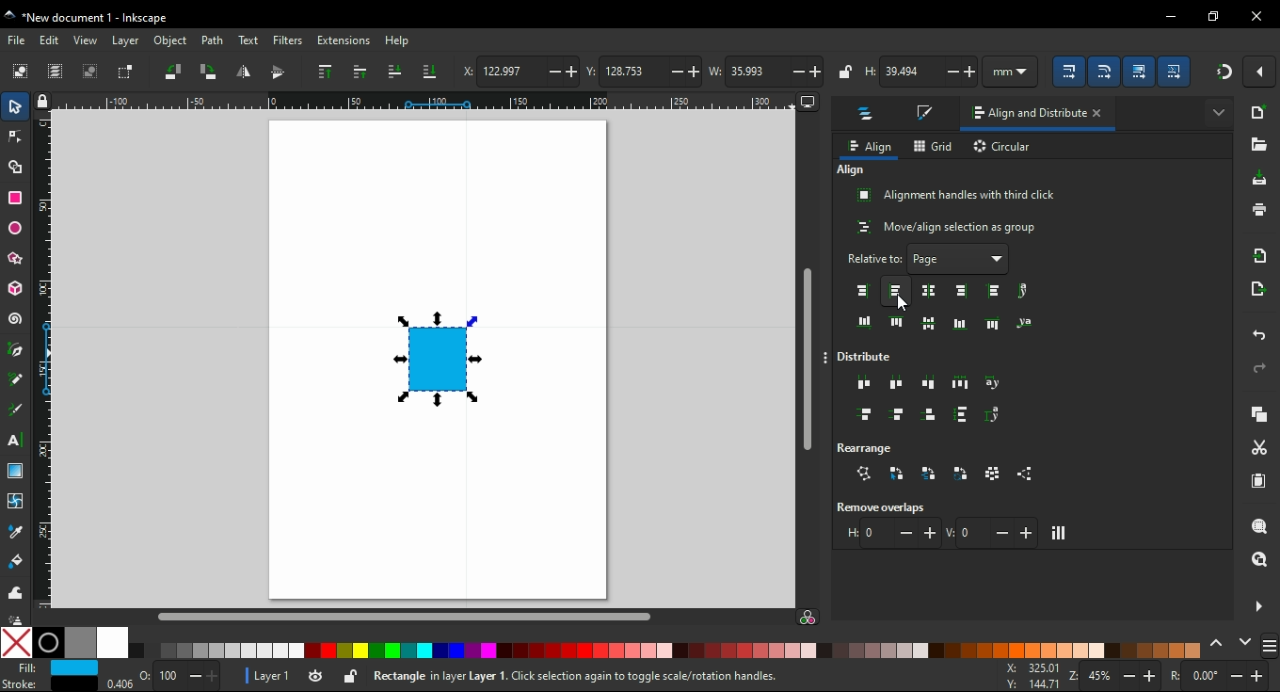  Describe the element at coordinates (1245, 642) in the screenshot. I see `next` at that location.